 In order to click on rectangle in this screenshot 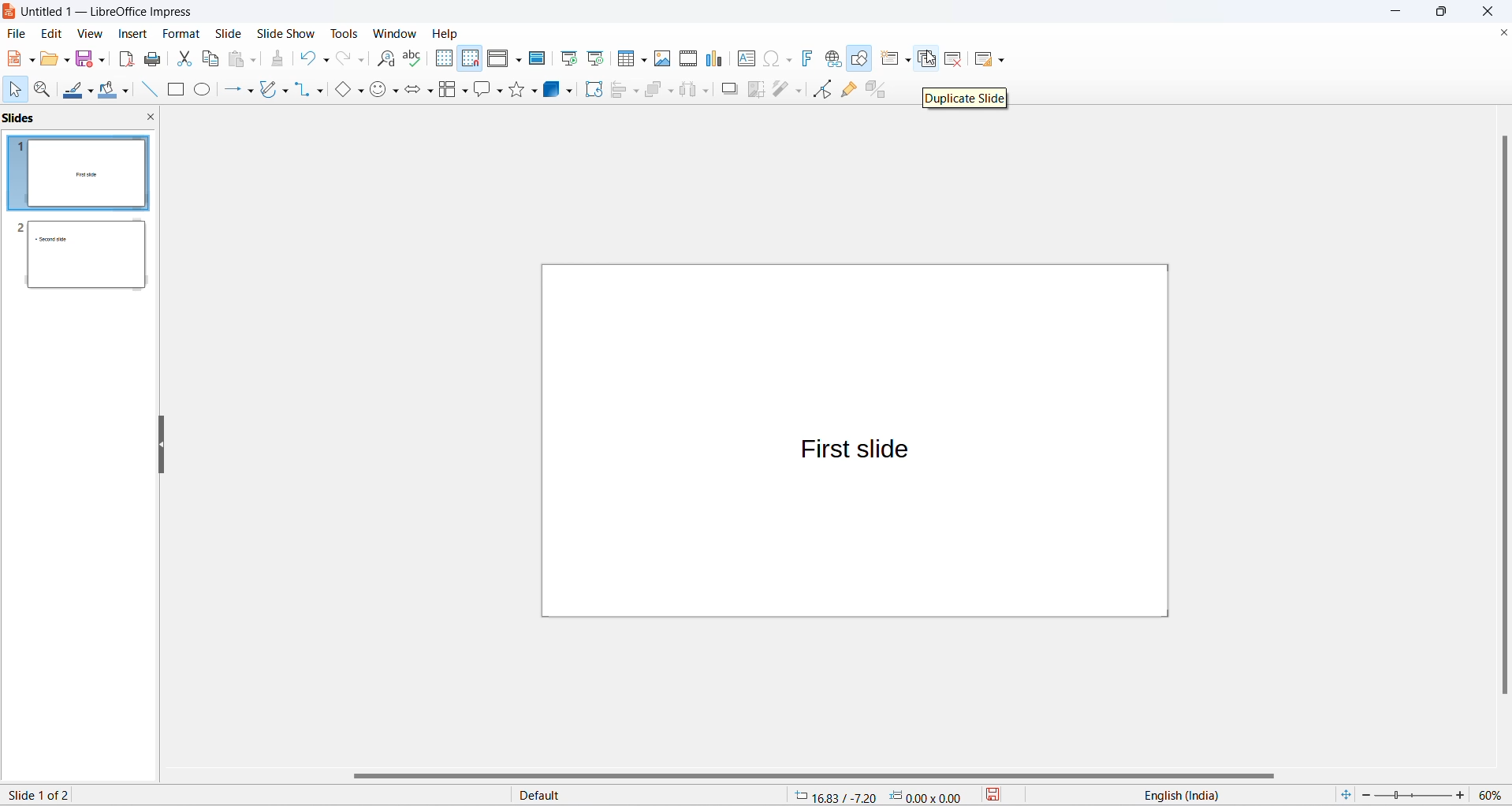, I will do `click(177, 91)`.